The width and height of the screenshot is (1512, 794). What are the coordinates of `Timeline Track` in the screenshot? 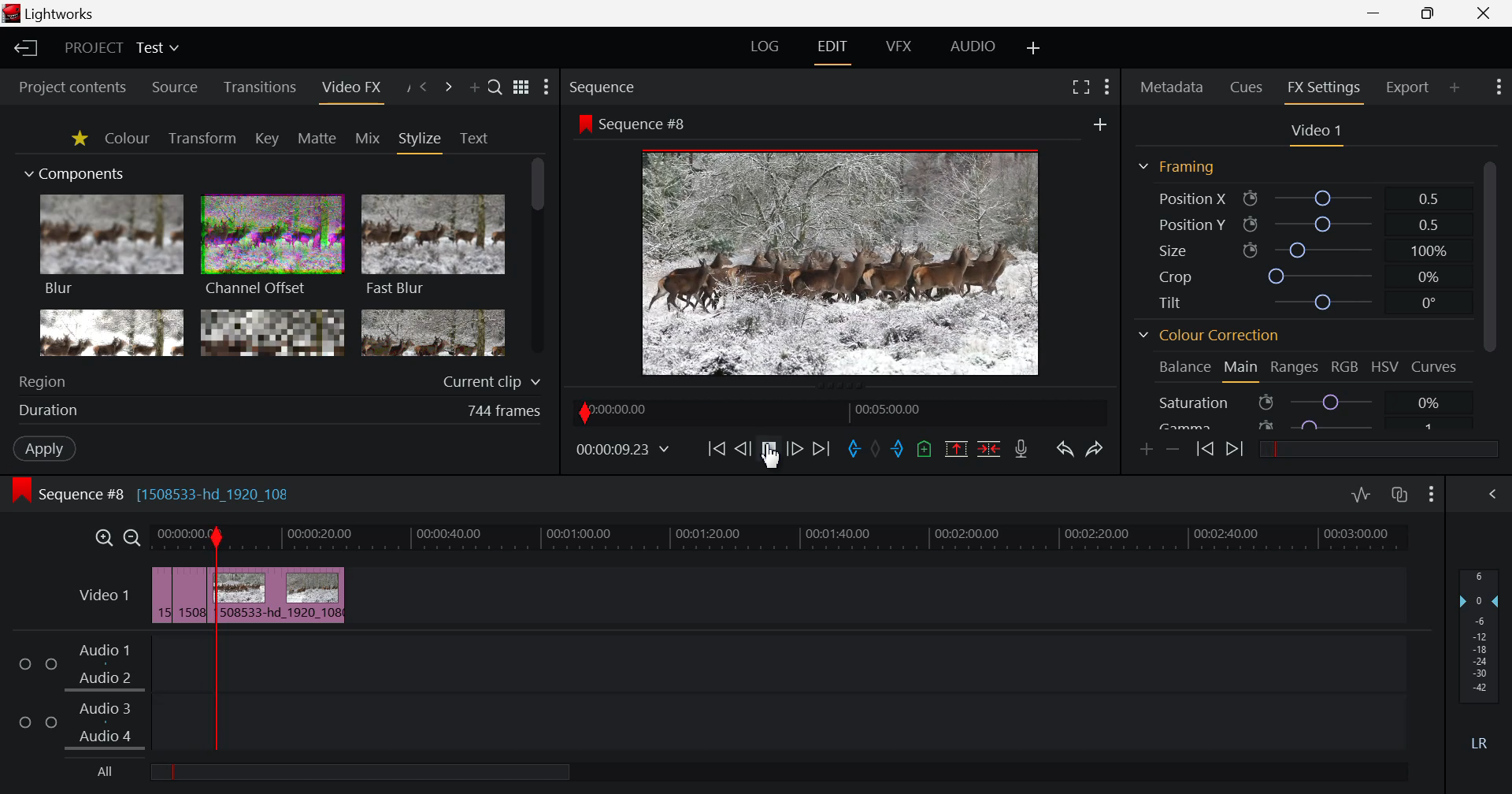 It's located at (784, 540).